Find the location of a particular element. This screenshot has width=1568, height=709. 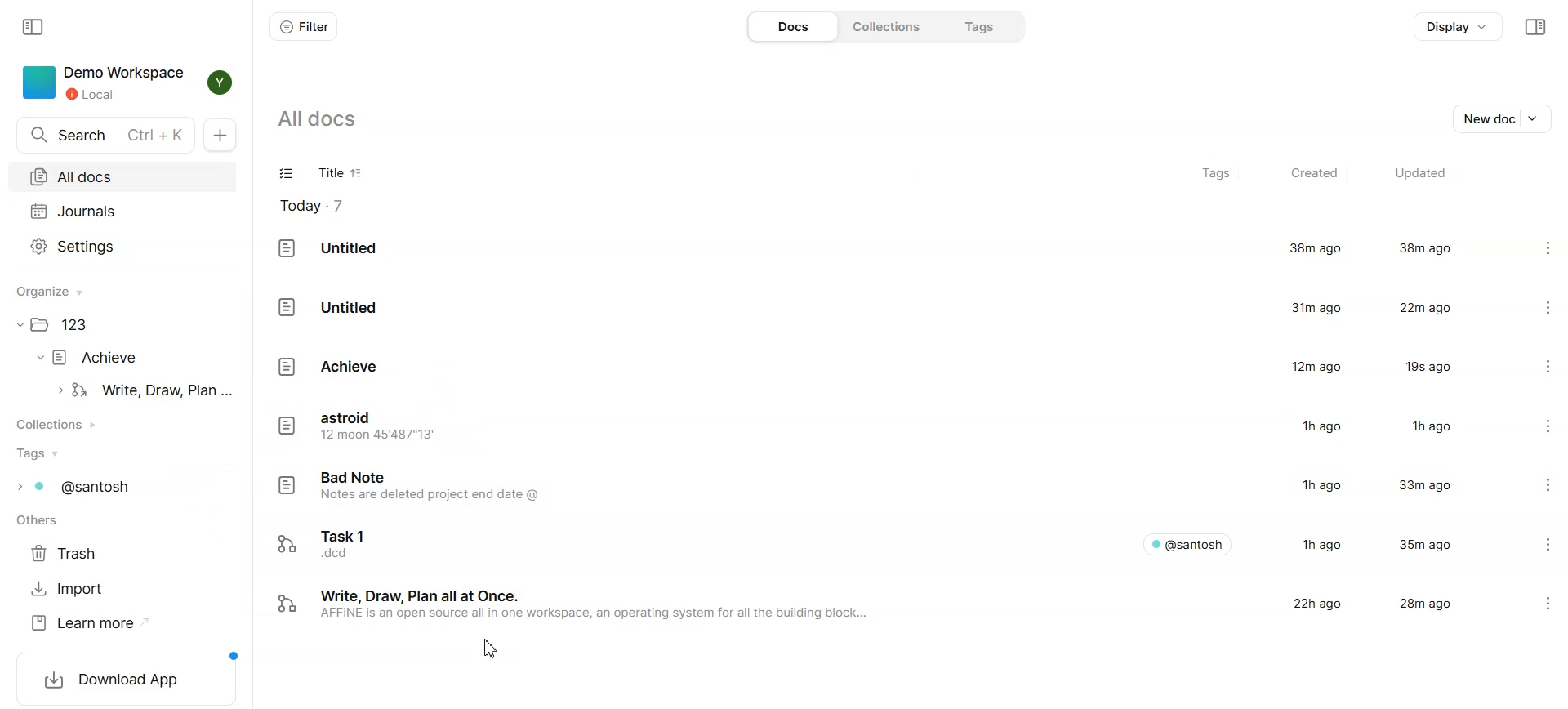

Import is located at coordinates (69, 589).